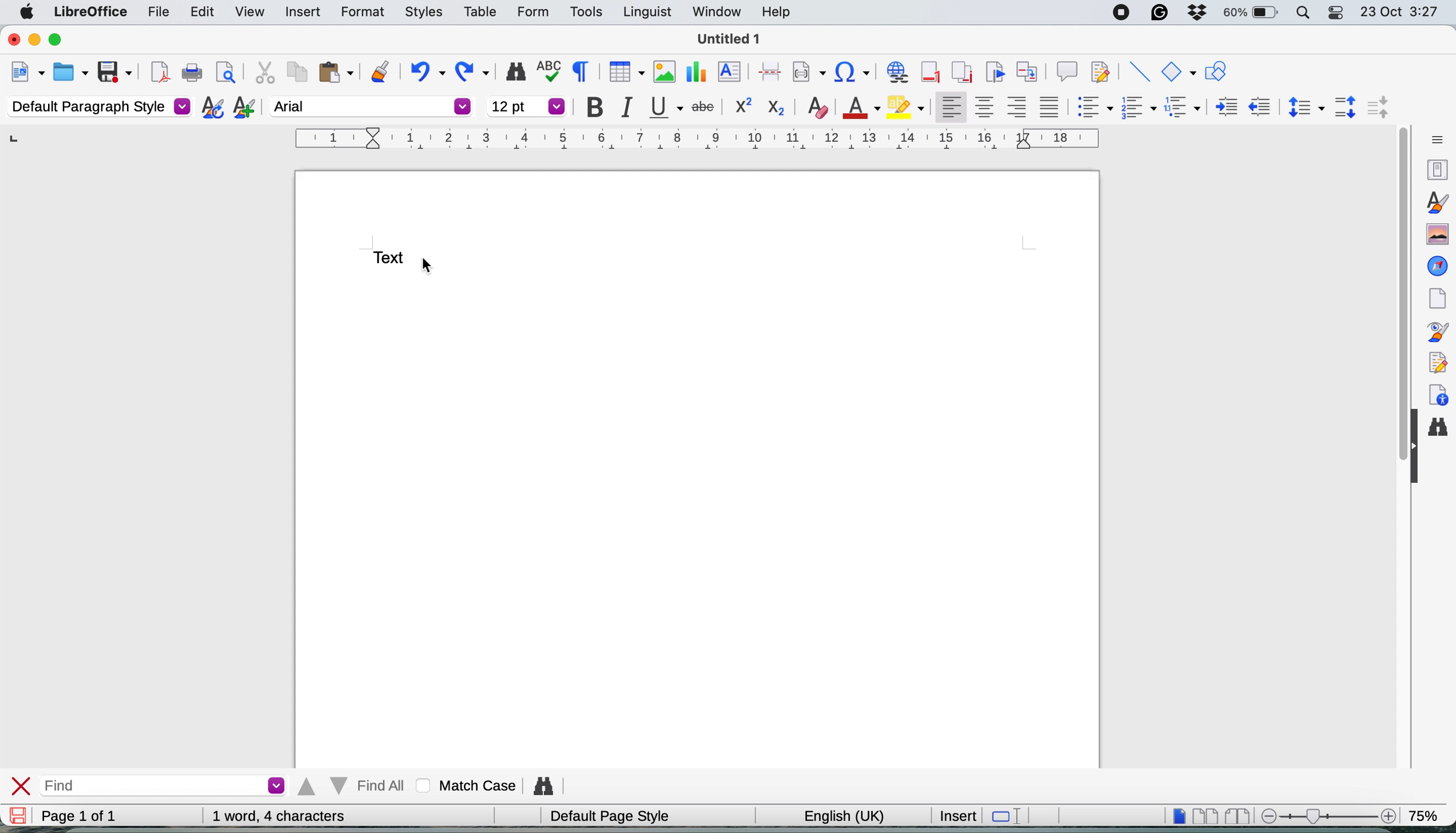  Describe the element at coordinates (1103, 73) in the screenshot. I see `show track change functions` at that location.